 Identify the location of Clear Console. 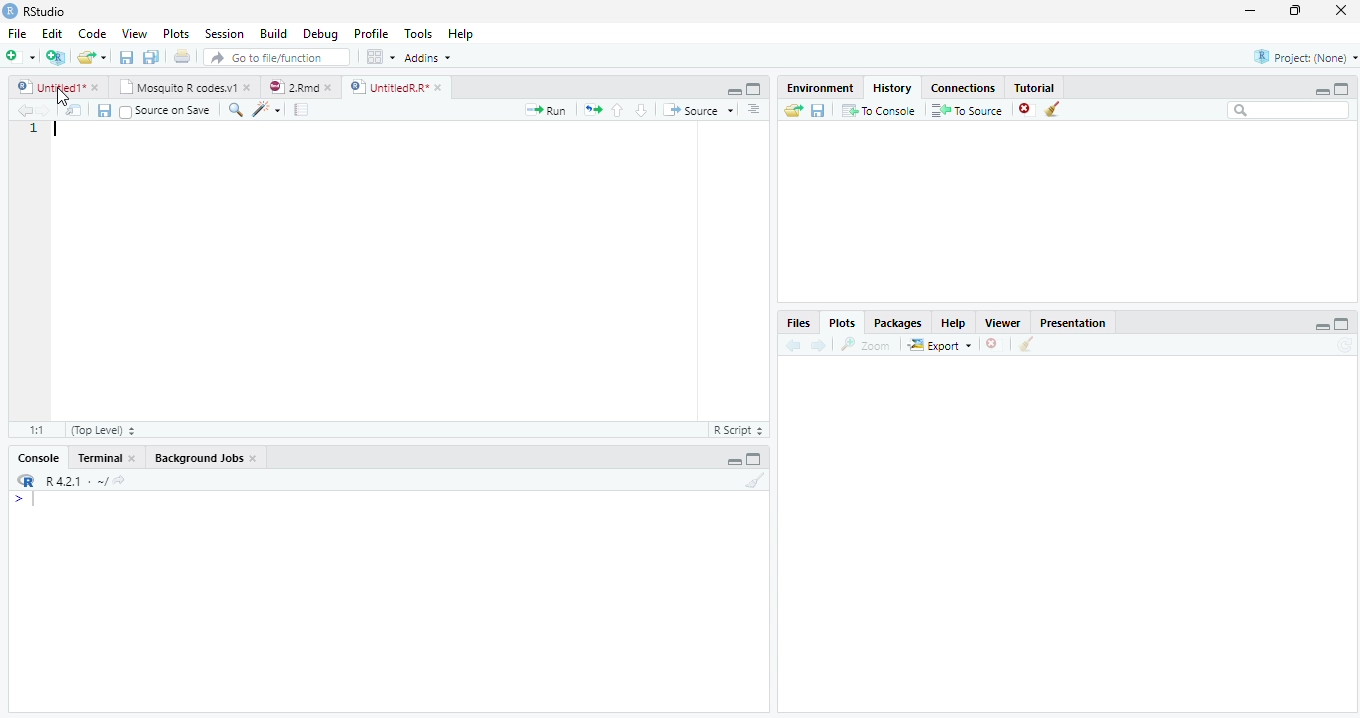
(1027, 344).